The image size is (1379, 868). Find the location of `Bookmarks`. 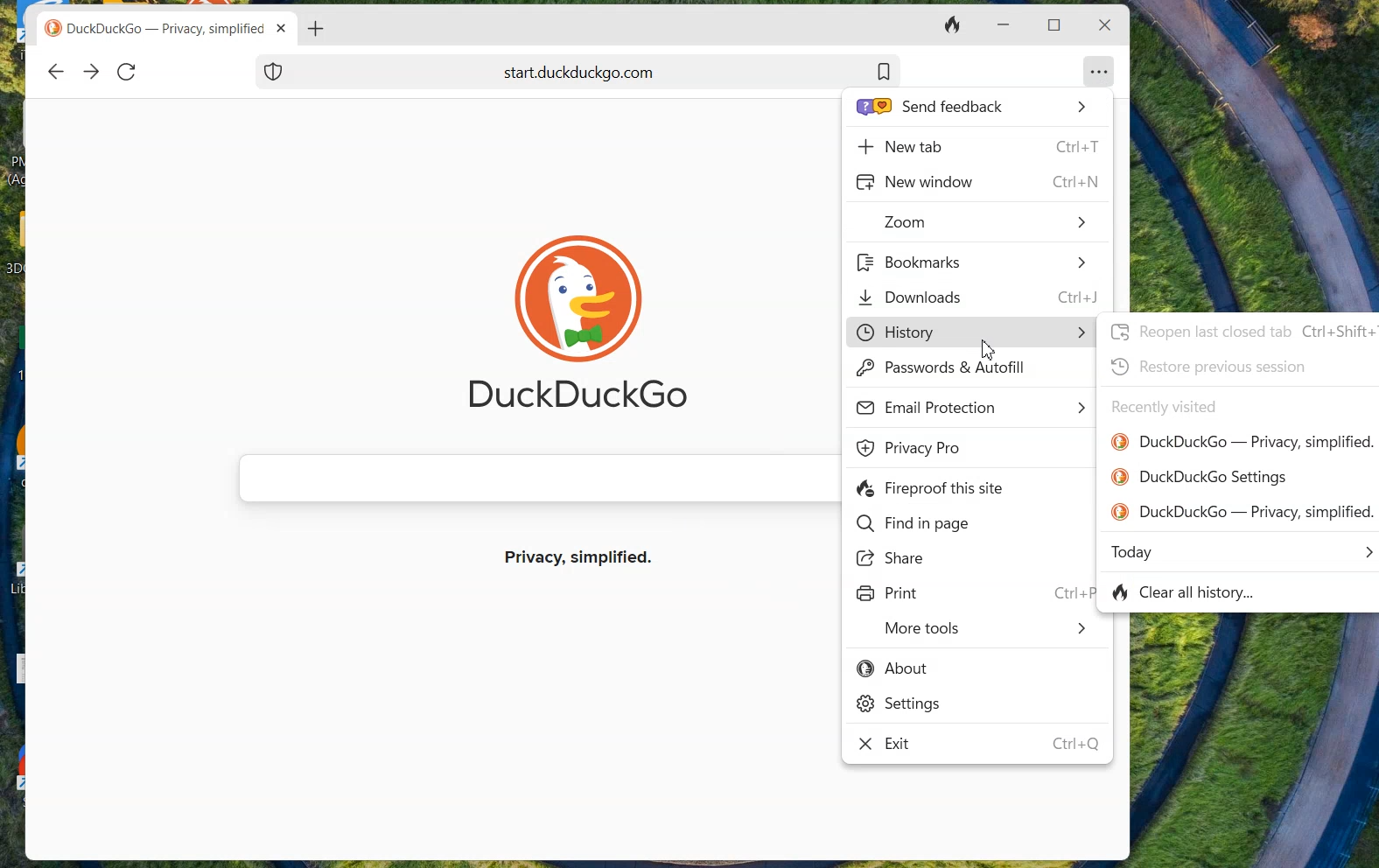

Bookmarks is located at coordinates (971, 262).